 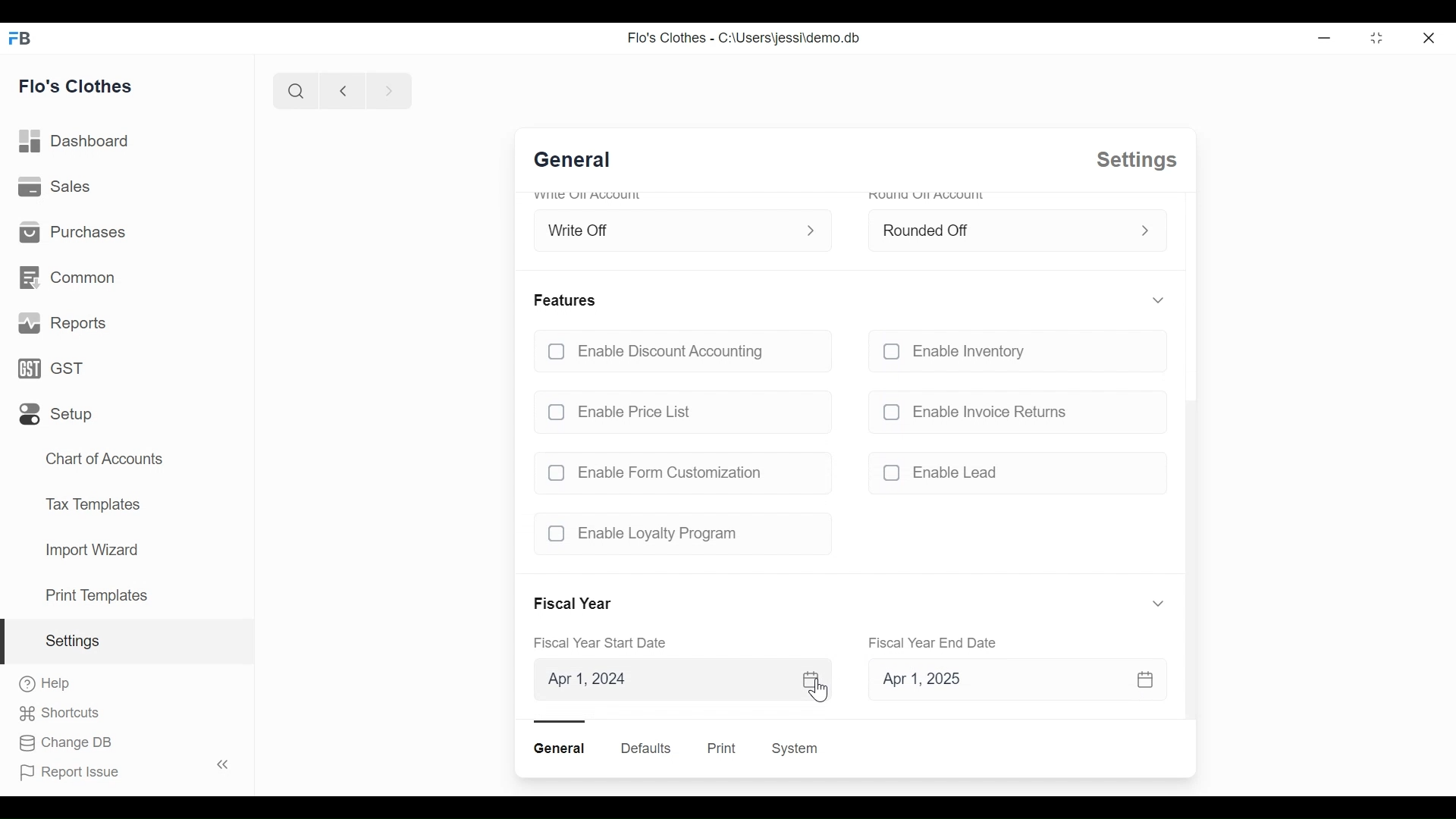 What do you see at coordinates (1159, 603) in the screenshot?
I see `Expand` at bounding box center [1159, 603].